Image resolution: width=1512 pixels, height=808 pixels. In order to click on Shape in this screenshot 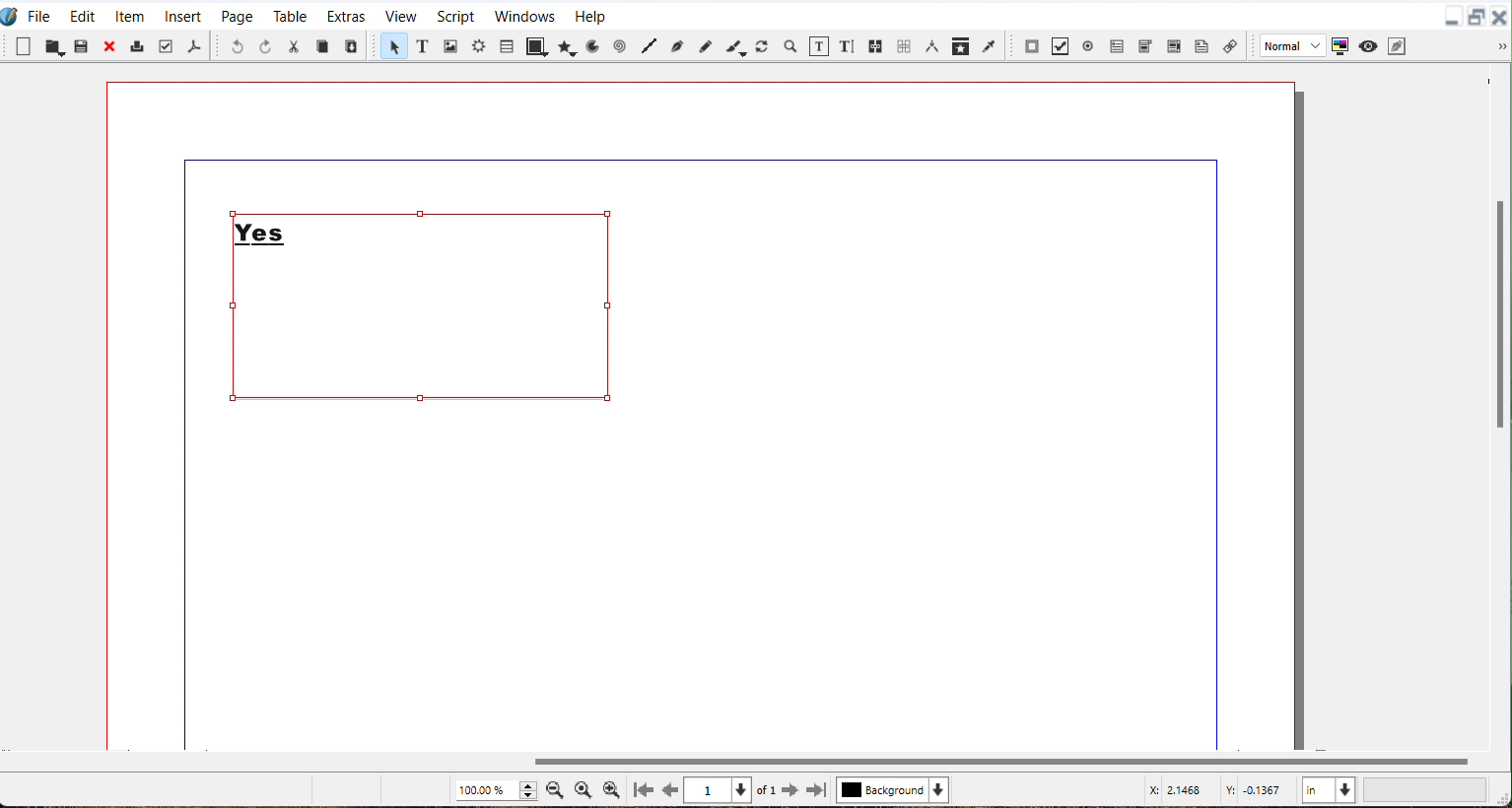, I will do `click(535, 47)`.